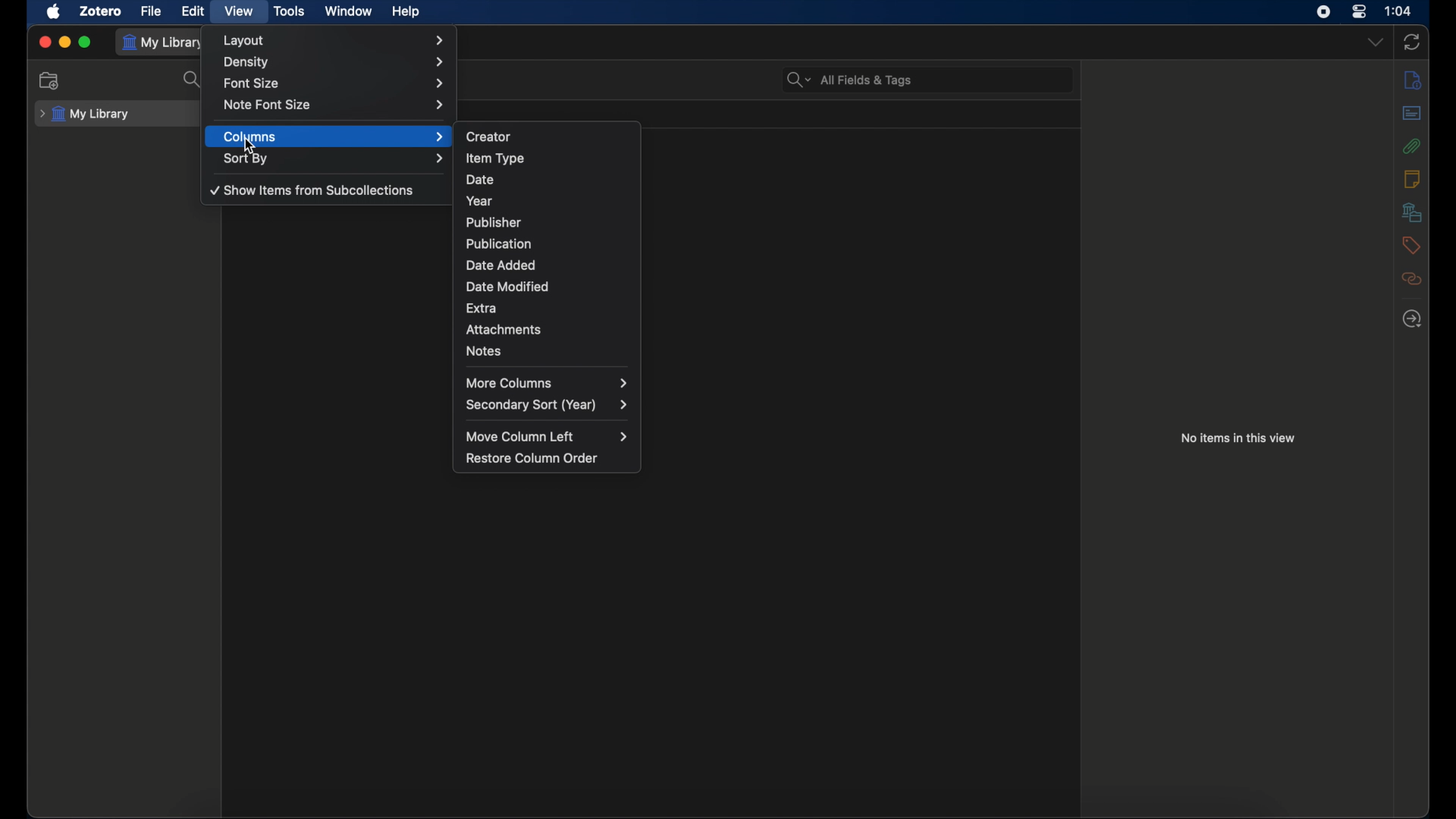 The image size is (1456, 819). I want to click on time, so click(1398, 10).